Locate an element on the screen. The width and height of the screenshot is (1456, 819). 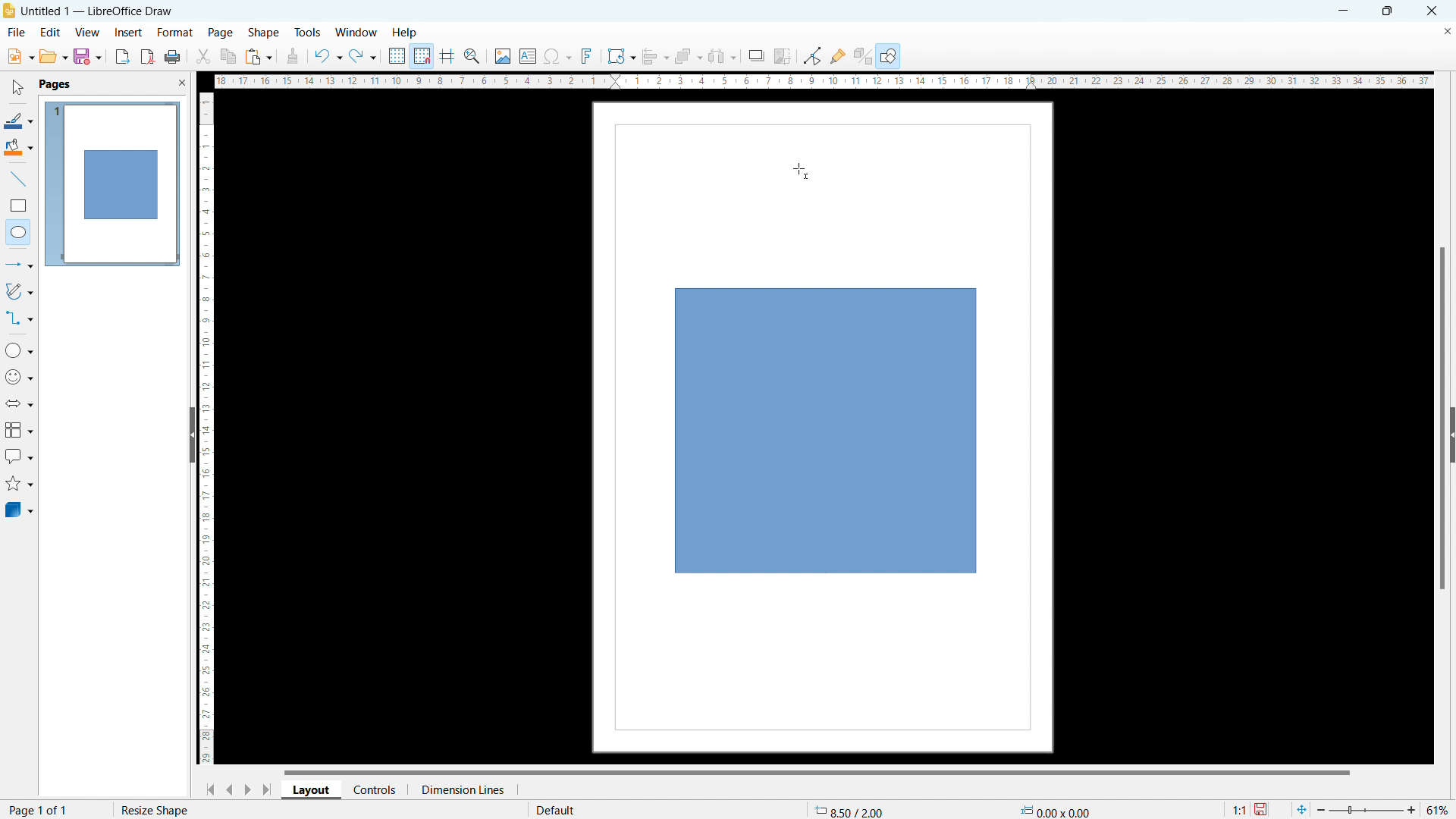
expand pane is located at coordinates (1451, 435).